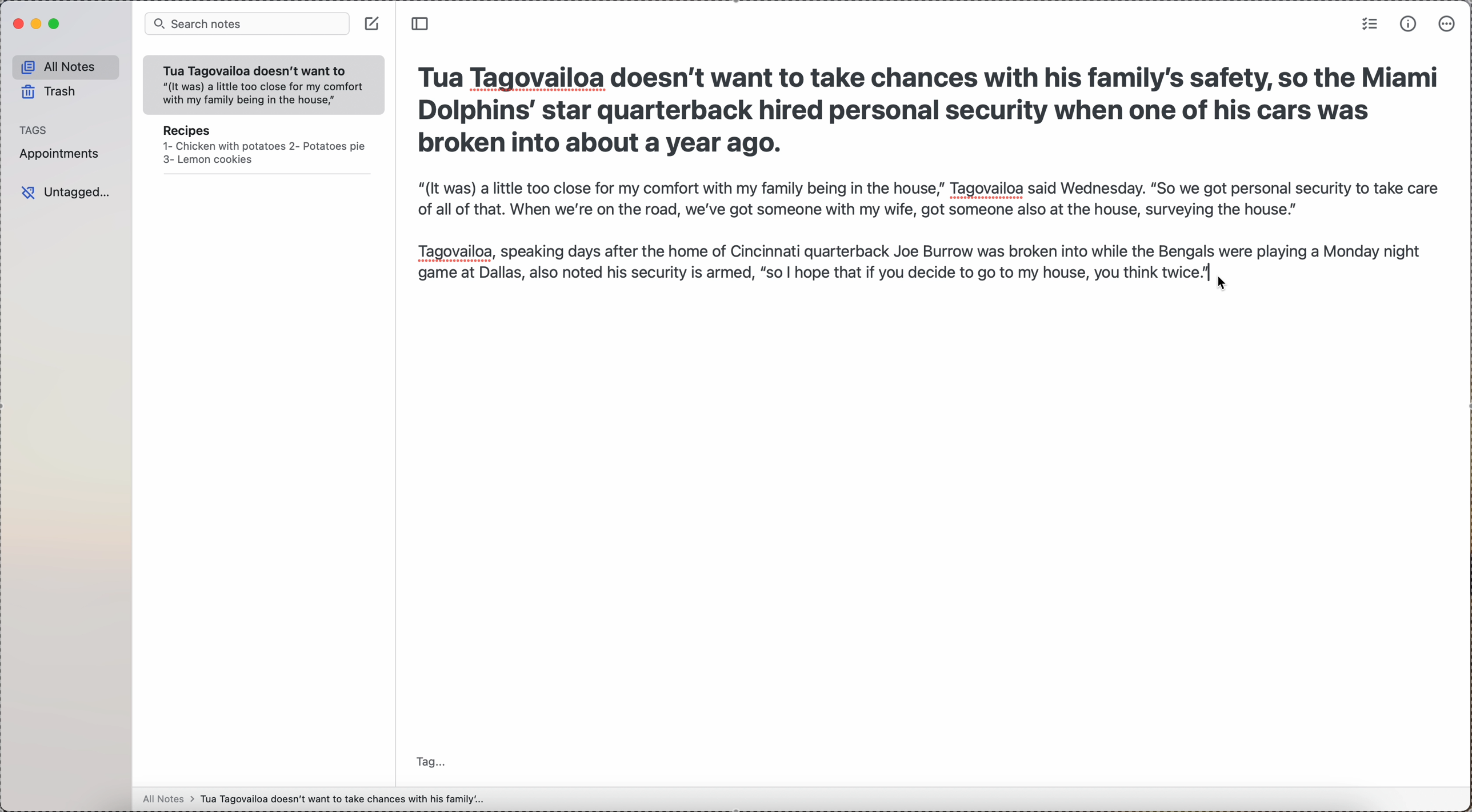 This screenshot has width=1472, height=812. I want to click on more options, so click(1447, 25).